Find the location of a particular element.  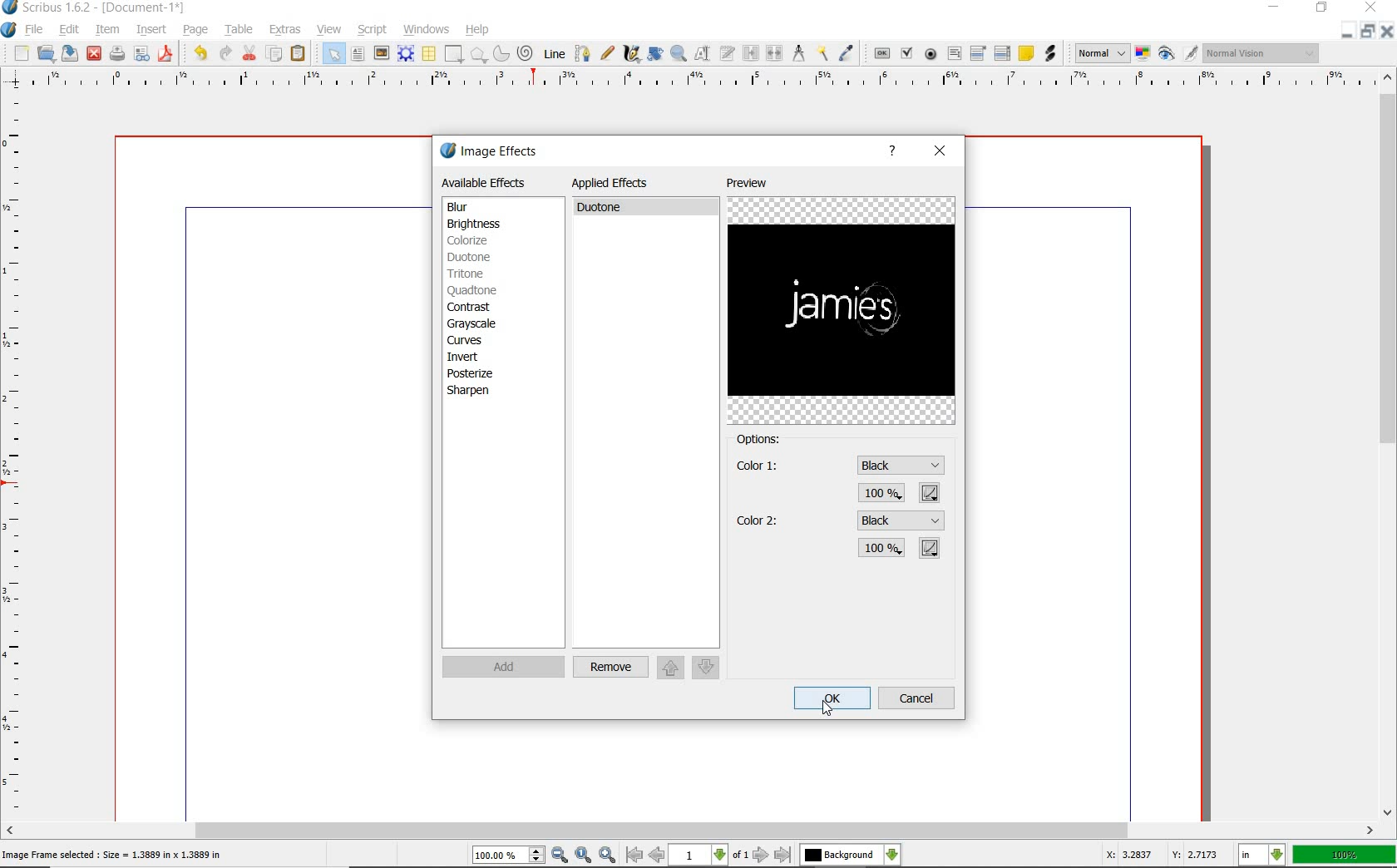

pdf push button is located at coordinates (882, 54).